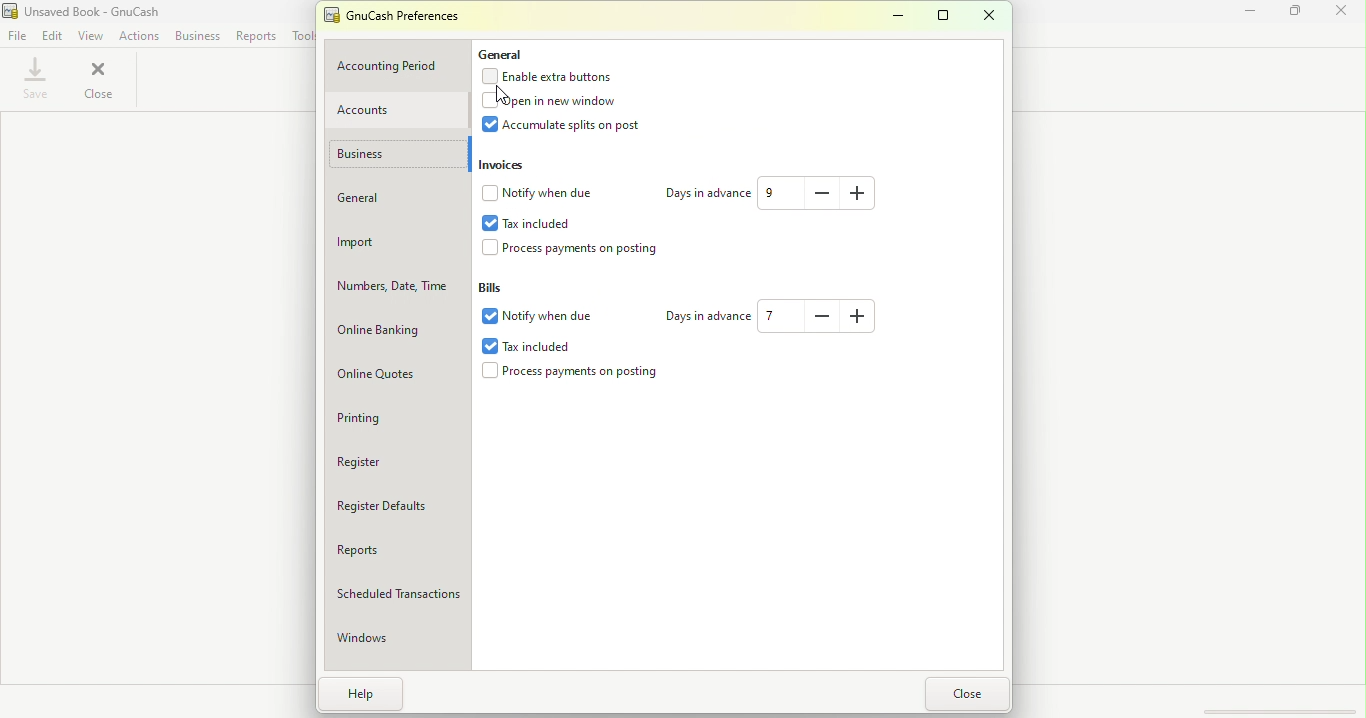 This screenshot has height=718, width=1366. Describe the element at coordinates (552, 76) in the screenshot. I see `Enable extra buttons` at that location.